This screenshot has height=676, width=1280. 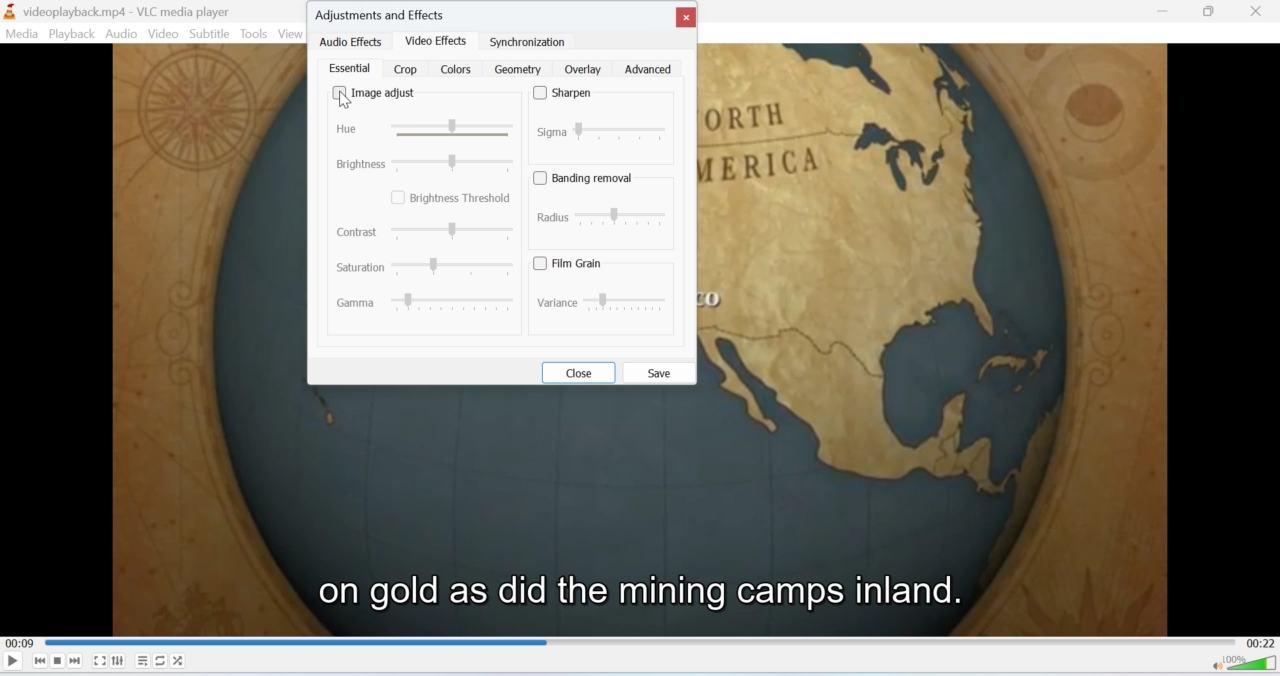 What do you see at coordinates (574, 263) in the screenshot?
I see `film grain` at bounding box center [574, 263].